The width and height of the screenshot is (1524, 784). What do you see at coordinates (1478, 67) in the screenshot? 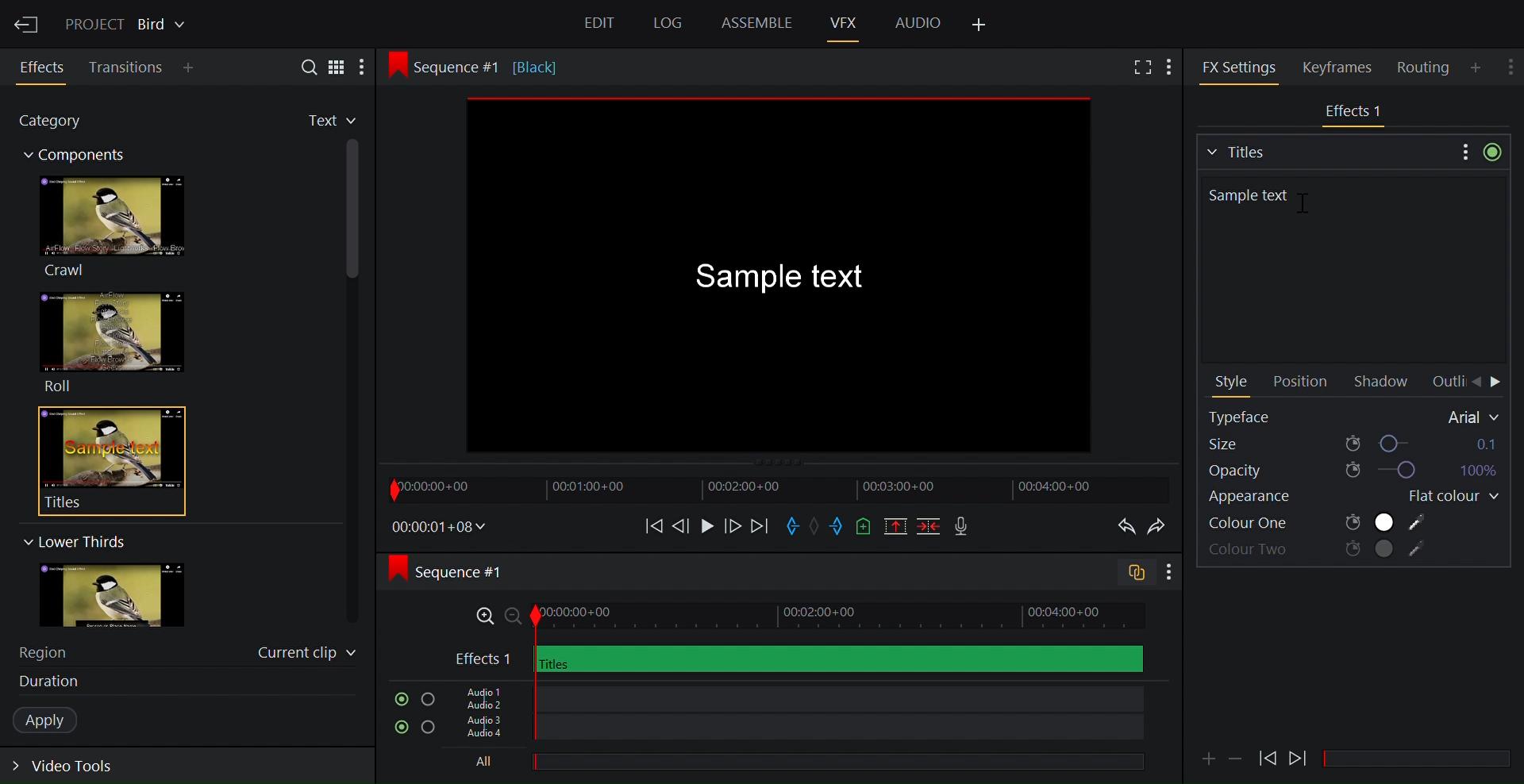
I see `Add Panel` at bounding box center [1478, 67].